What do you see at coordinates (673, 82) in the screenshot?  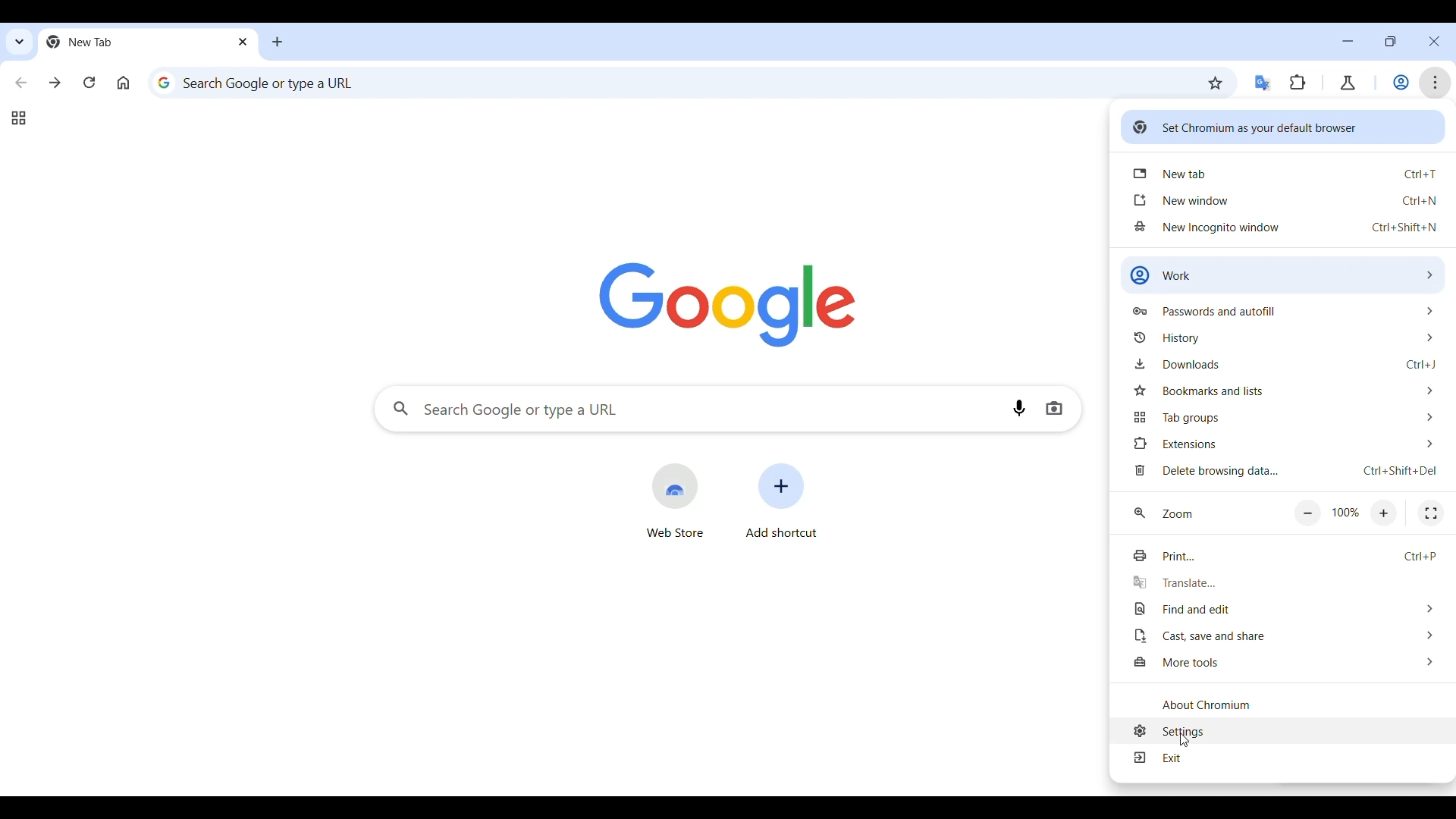 I see `Search Google or type a url` at bounding box center [673, 82].